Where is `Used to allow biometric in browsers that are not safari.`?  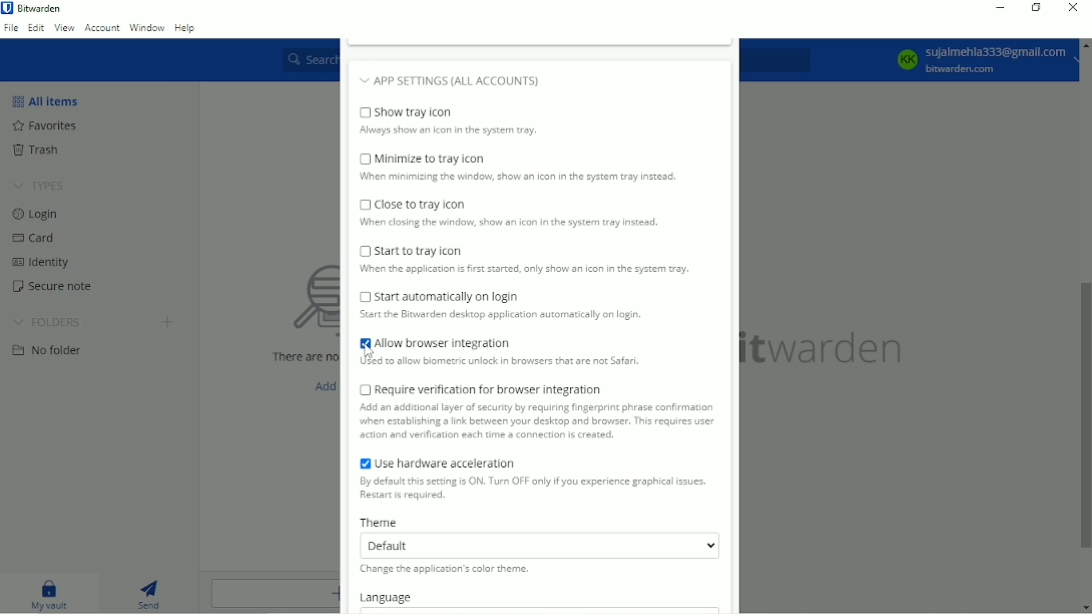
Used to allow biometric in browsers that are not safari. is located at coordinates (505, 363).